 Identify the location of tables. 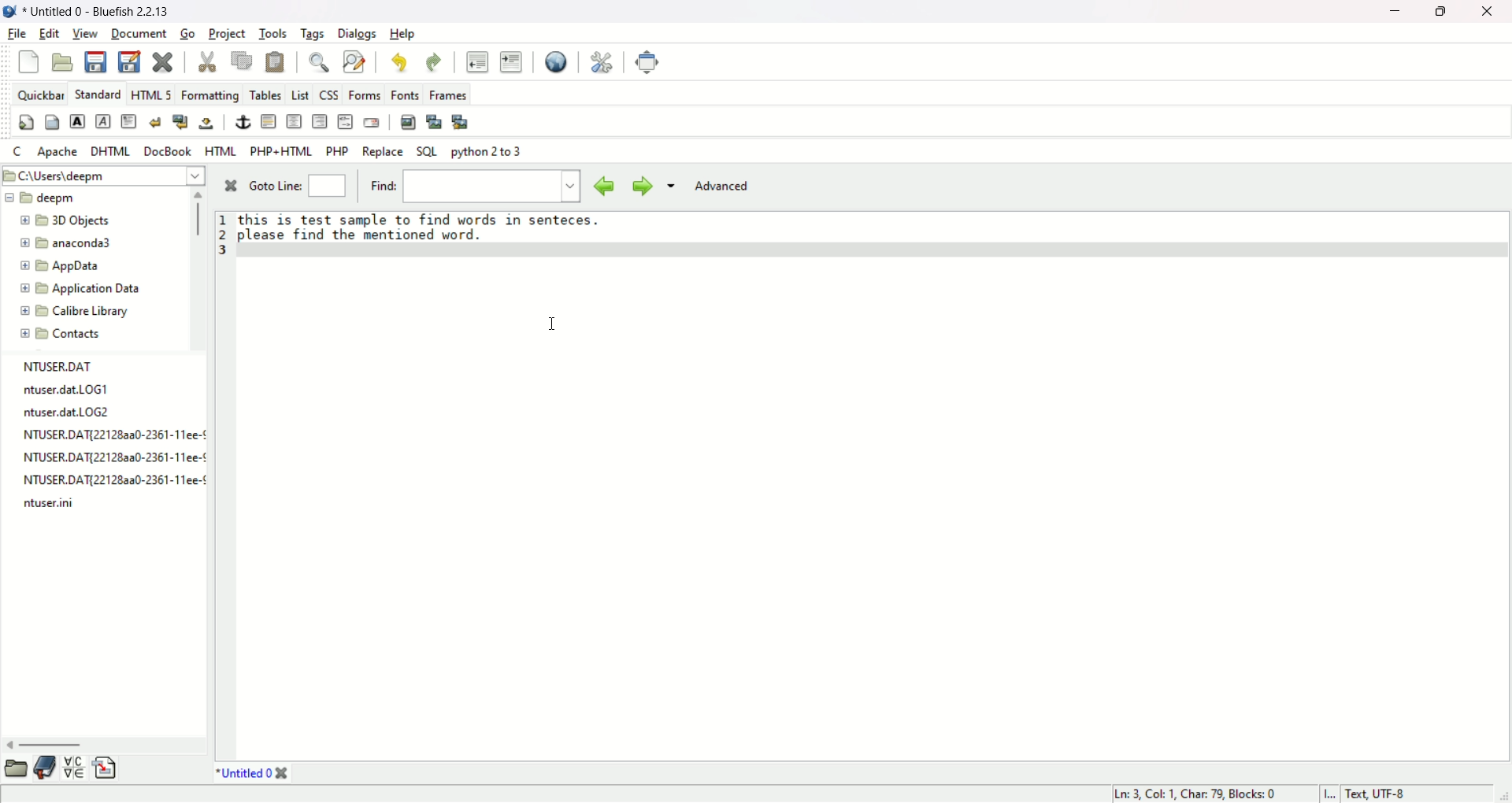
(265, 93).